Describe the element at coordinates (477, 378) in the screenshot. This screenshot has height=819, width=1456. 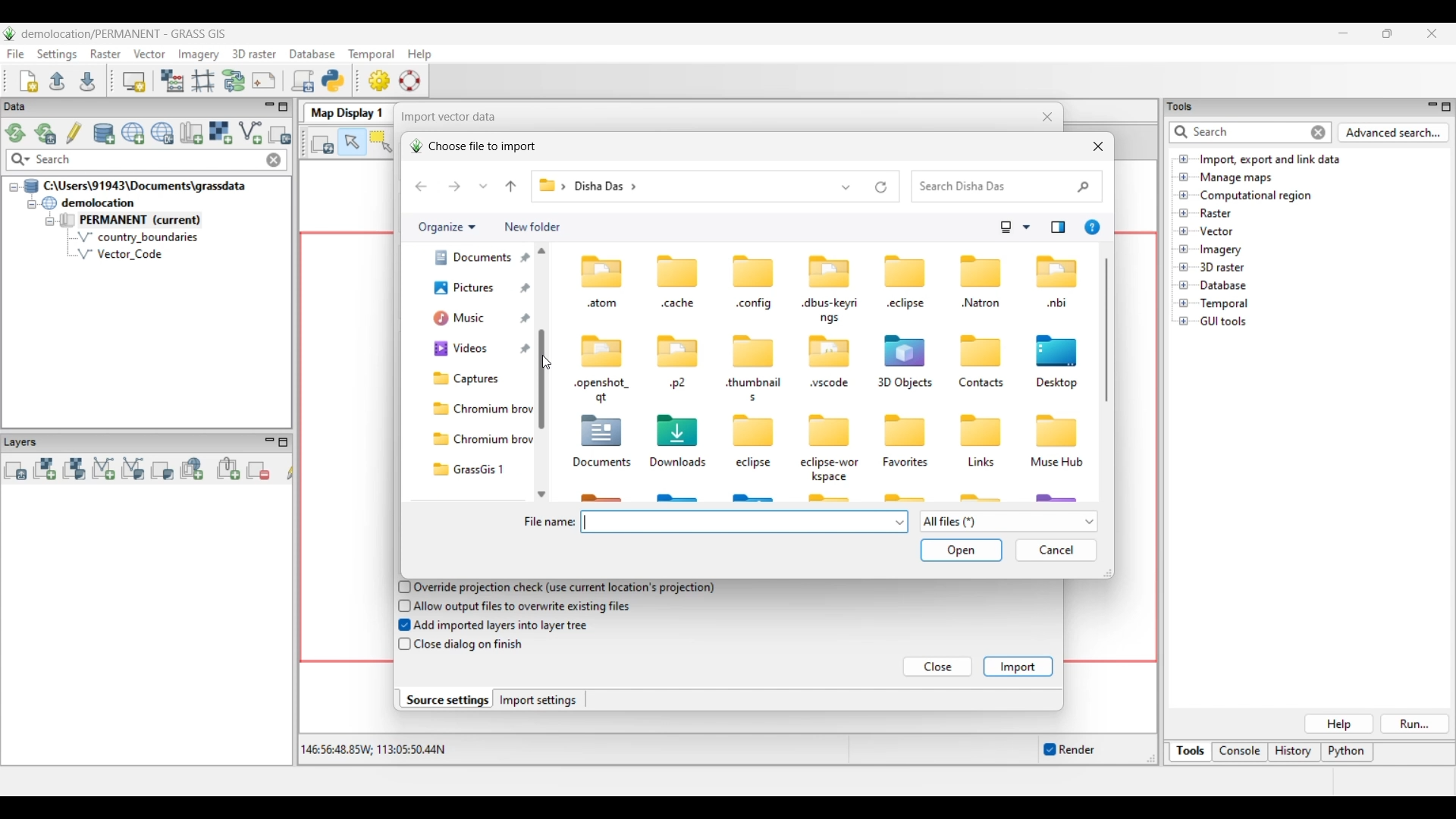
I see `Captures folder` at that location.